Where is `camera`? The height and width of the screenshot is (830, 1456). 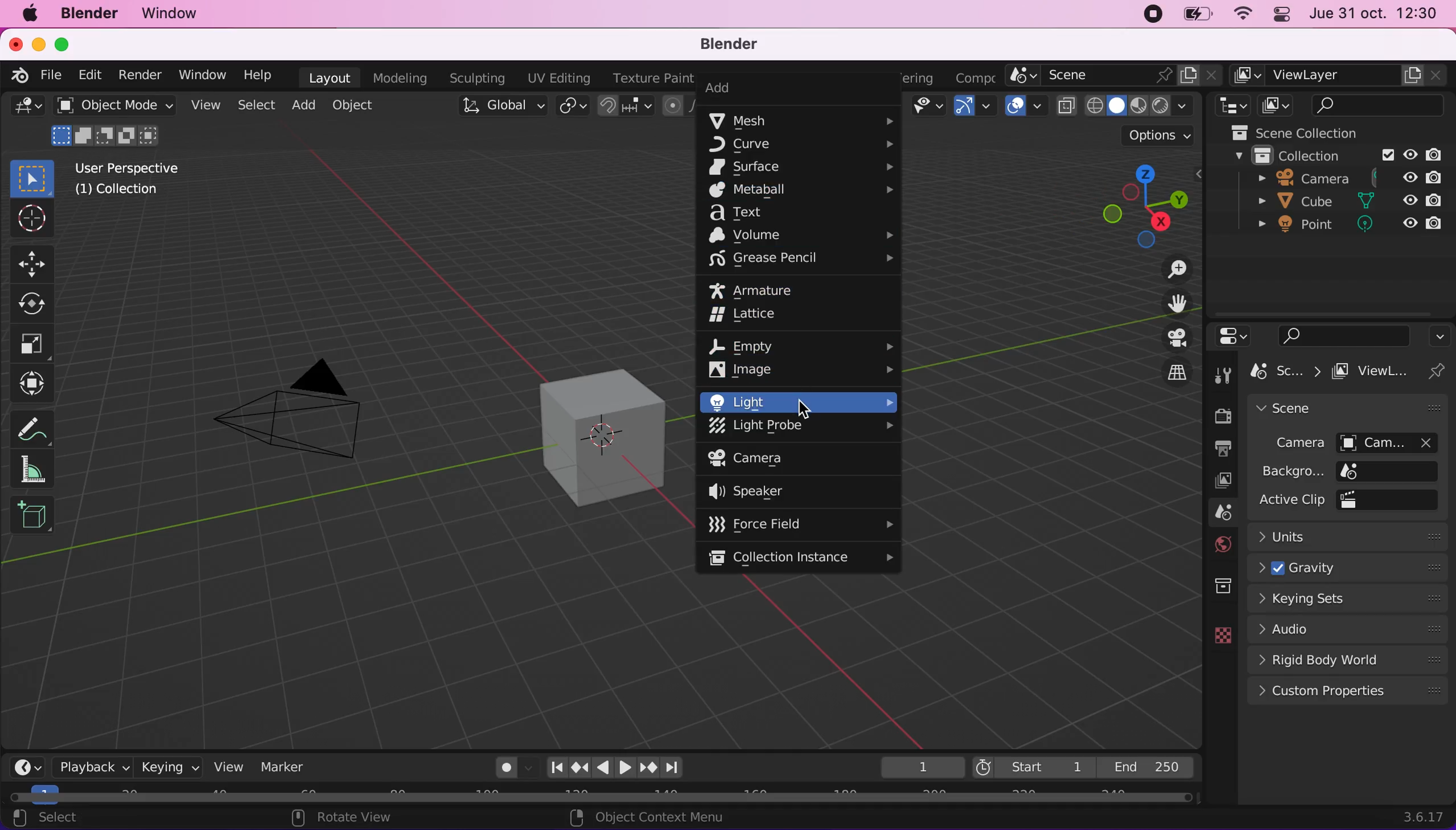
camera is located at coordinates (1396, 442).